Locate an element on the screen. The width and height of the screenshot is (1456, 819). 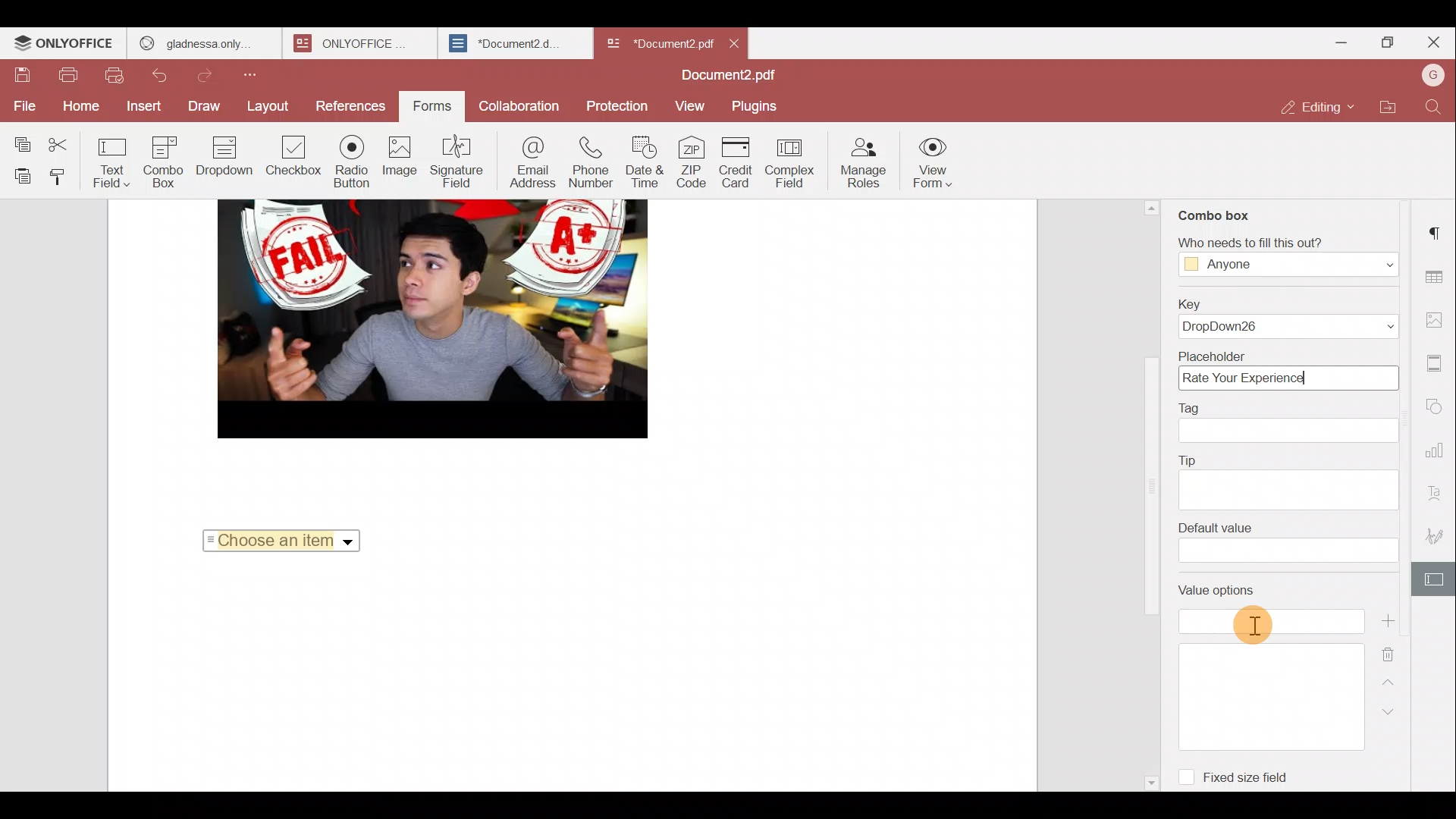
Account name is located at coordinates (1429, 80).